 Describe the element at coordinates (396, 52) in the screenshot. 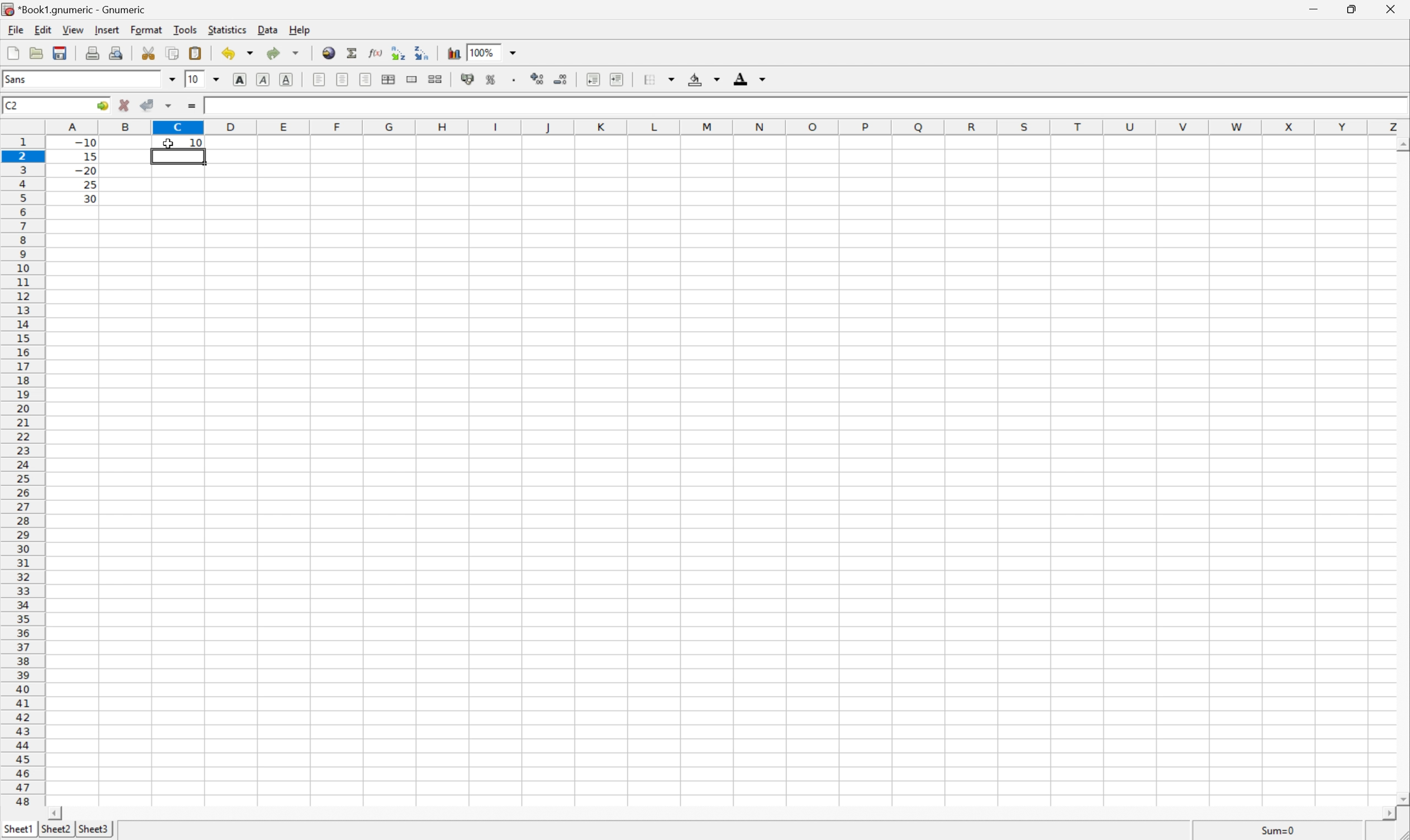

I see `Sort the selected region in ascending order based on the first column selected` at that location.